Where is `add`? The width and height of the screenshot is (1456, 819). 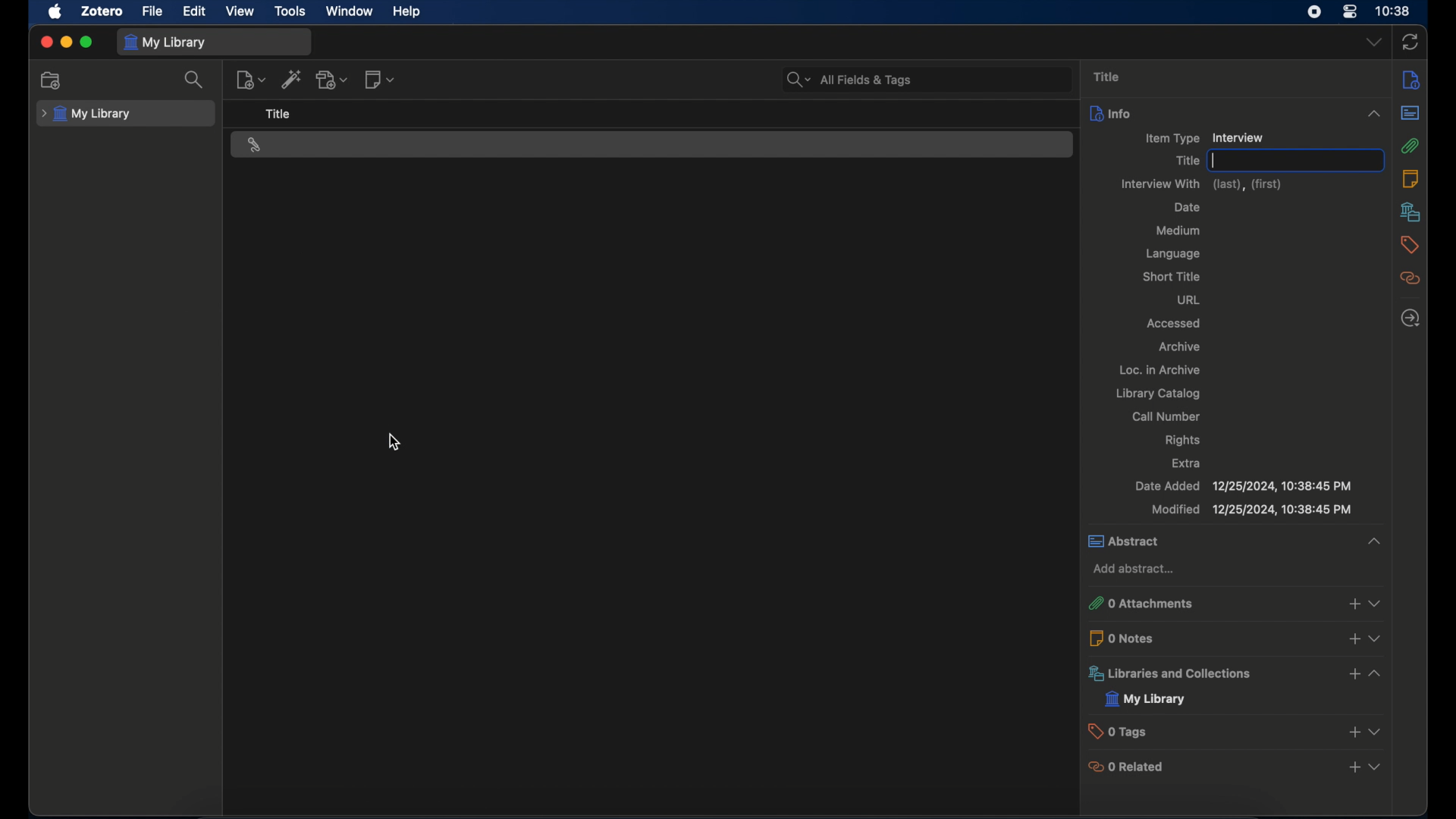
add is located at coordinates (1355, 767).